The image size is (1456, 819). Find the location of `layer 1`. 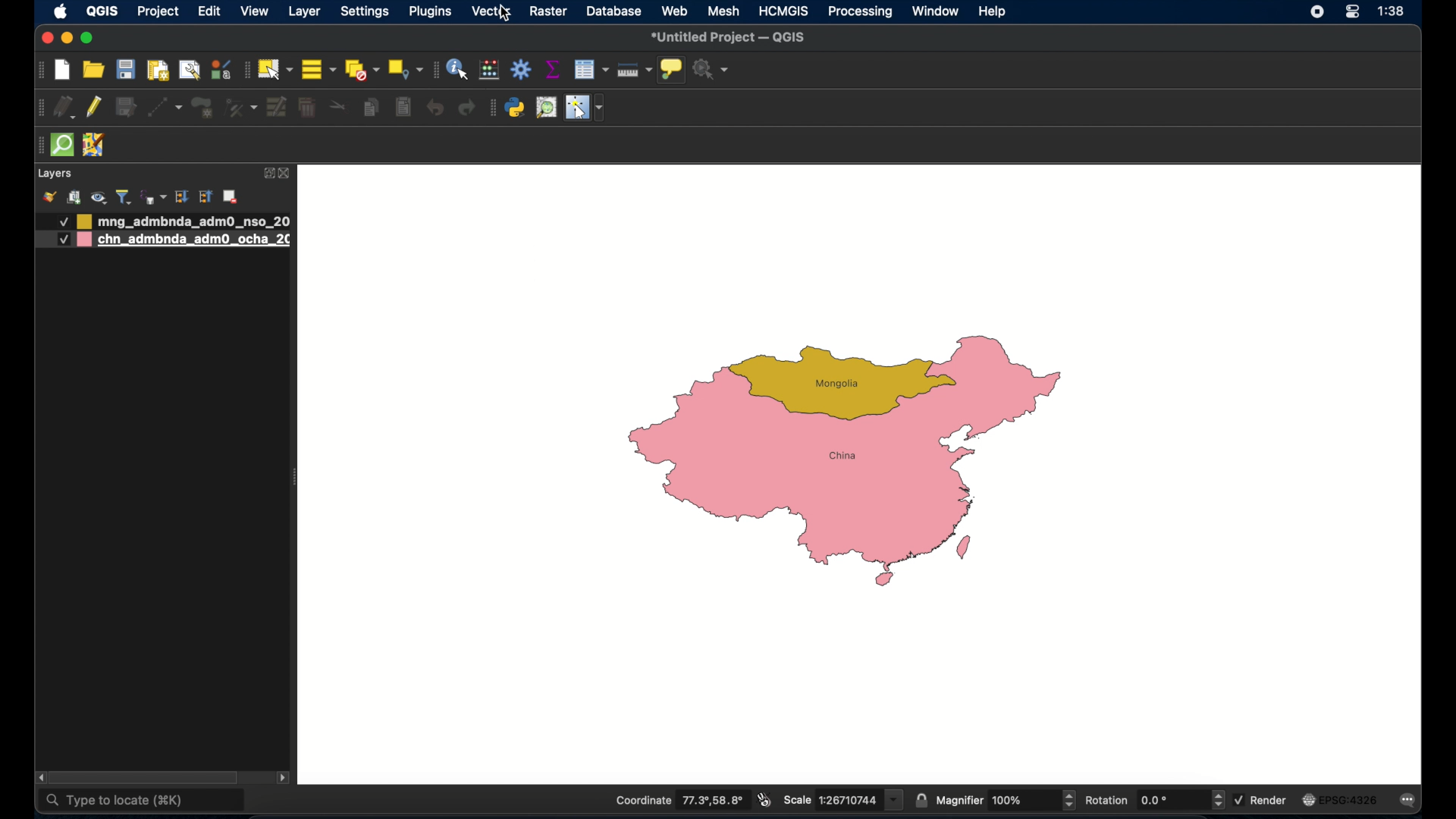

layer 1 is located at coordinates (186, 221).